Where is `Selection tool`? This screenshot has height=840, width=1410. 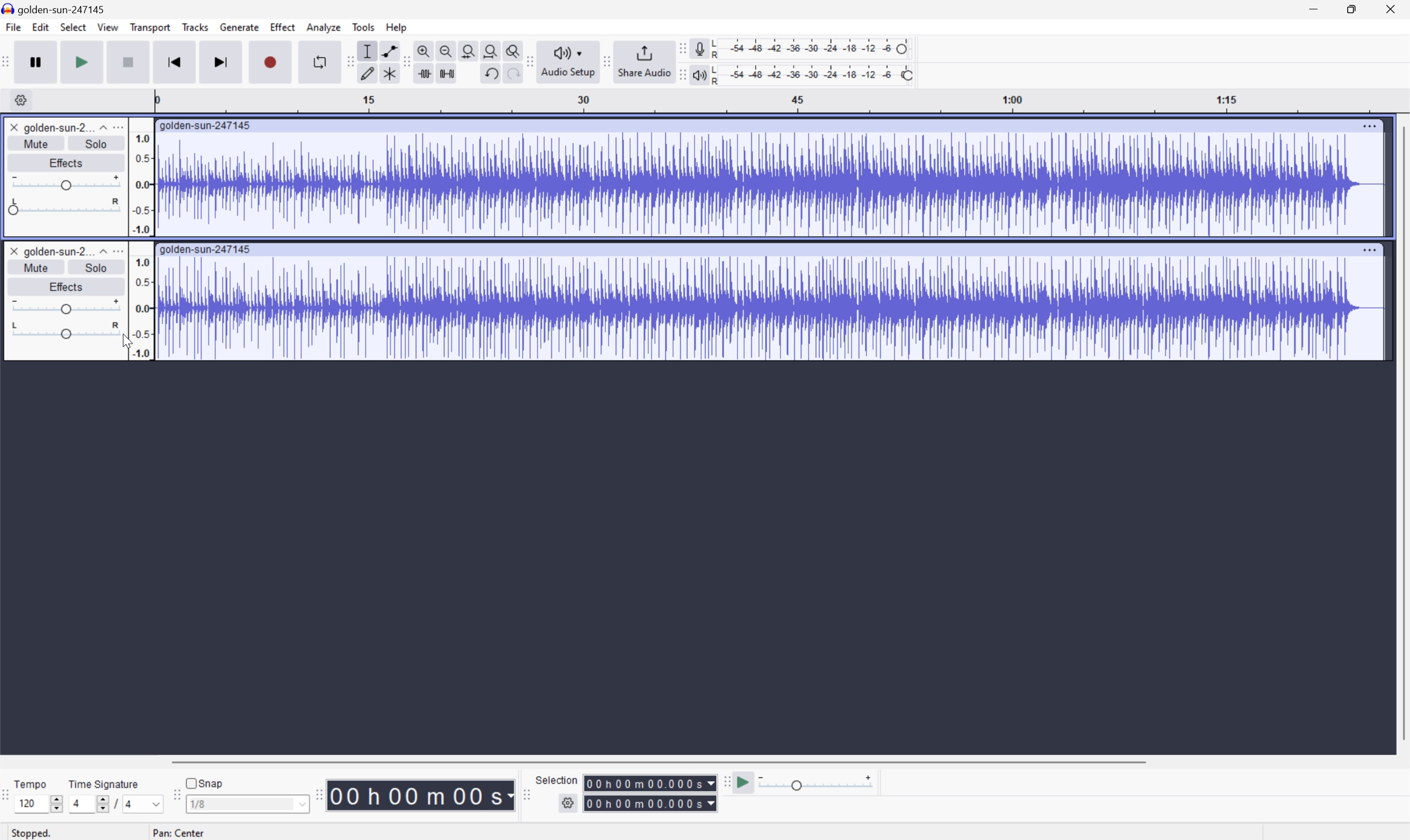 Selection tool is located at coordinates (369, 51).